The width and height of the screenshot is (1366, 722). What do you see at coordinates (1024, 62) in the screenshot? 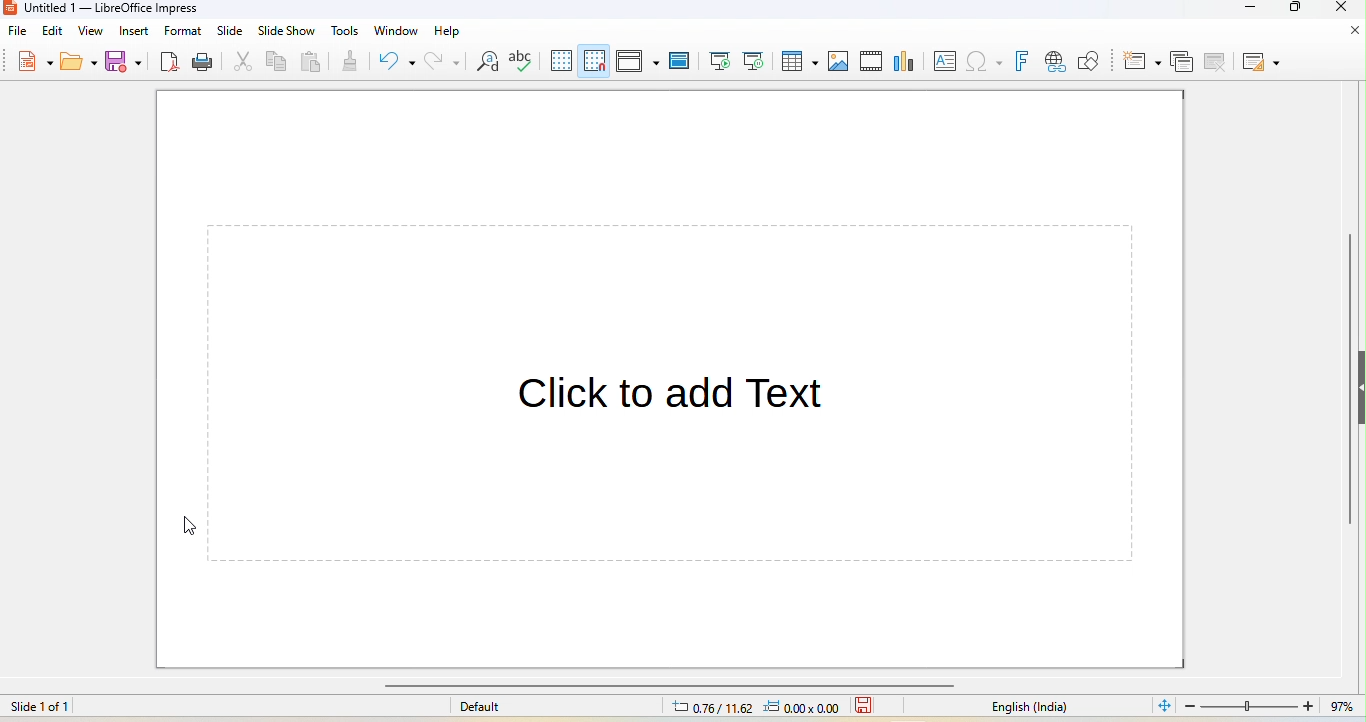
I see `fontwork text` at bounding box center [1024, 62].